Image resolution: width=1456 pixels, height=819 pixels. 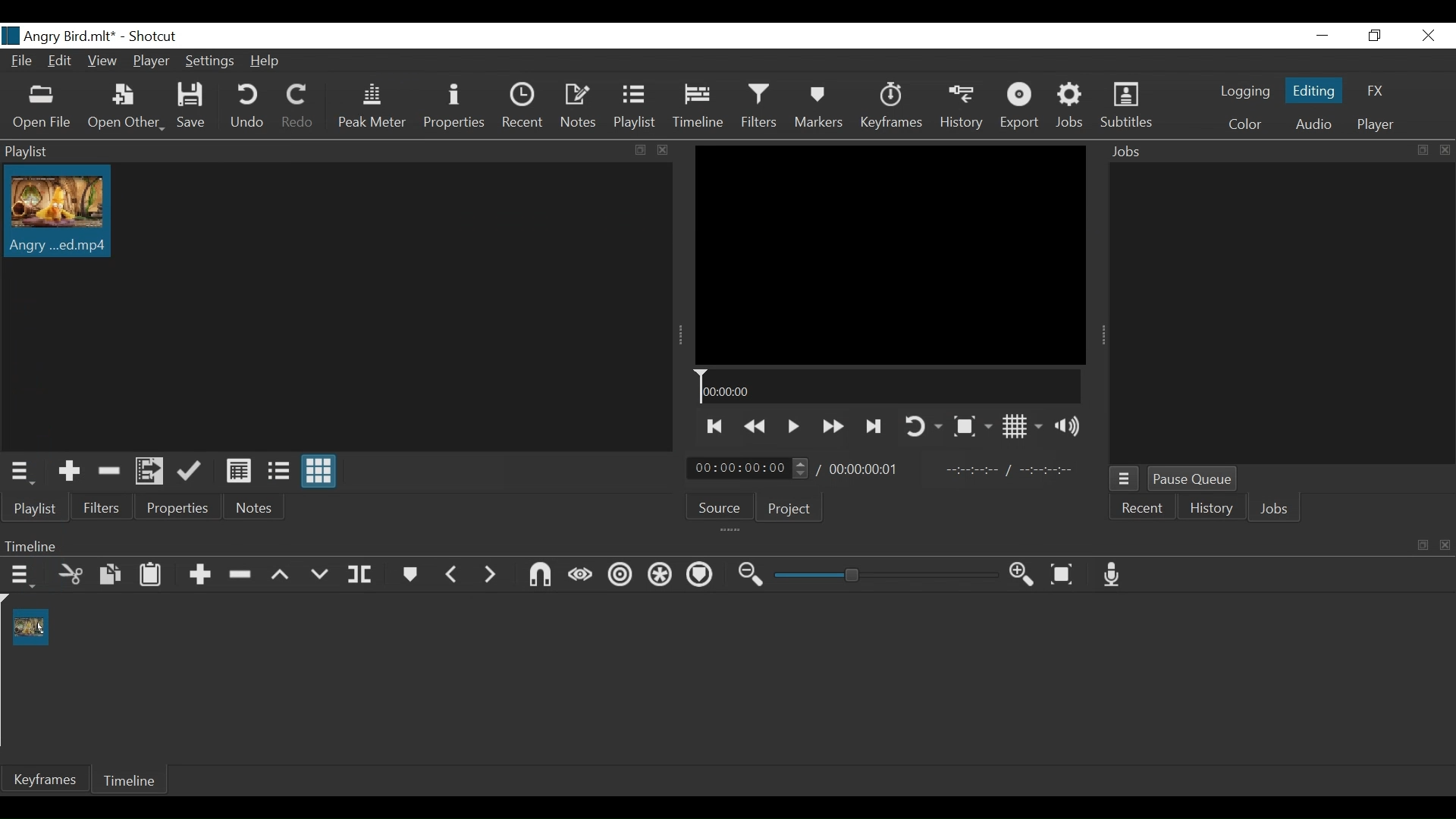 I want to click on Help, so click(x=263, y=61).